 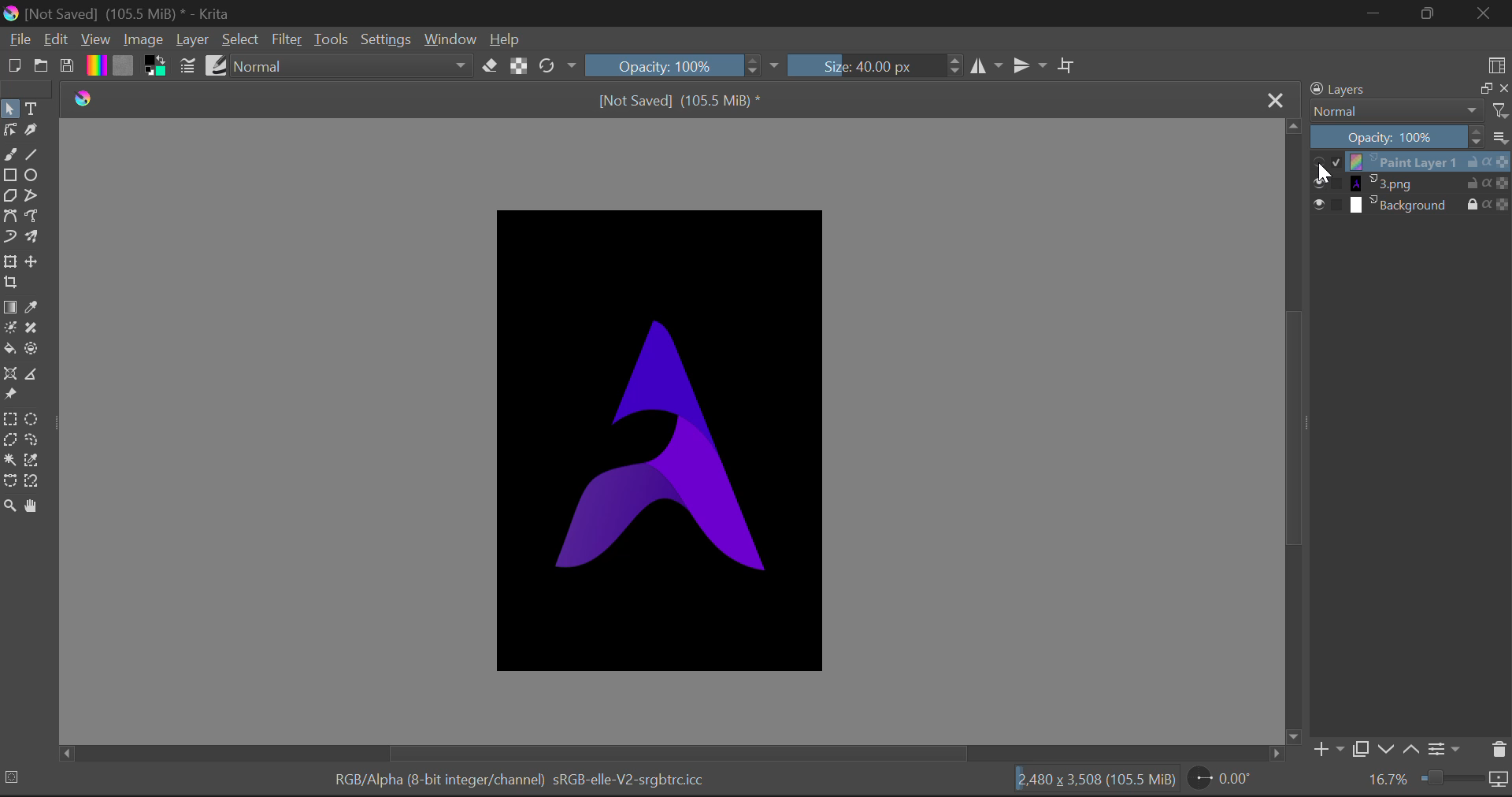 I want to click on Transform Layer, so click(x=13, y=261).